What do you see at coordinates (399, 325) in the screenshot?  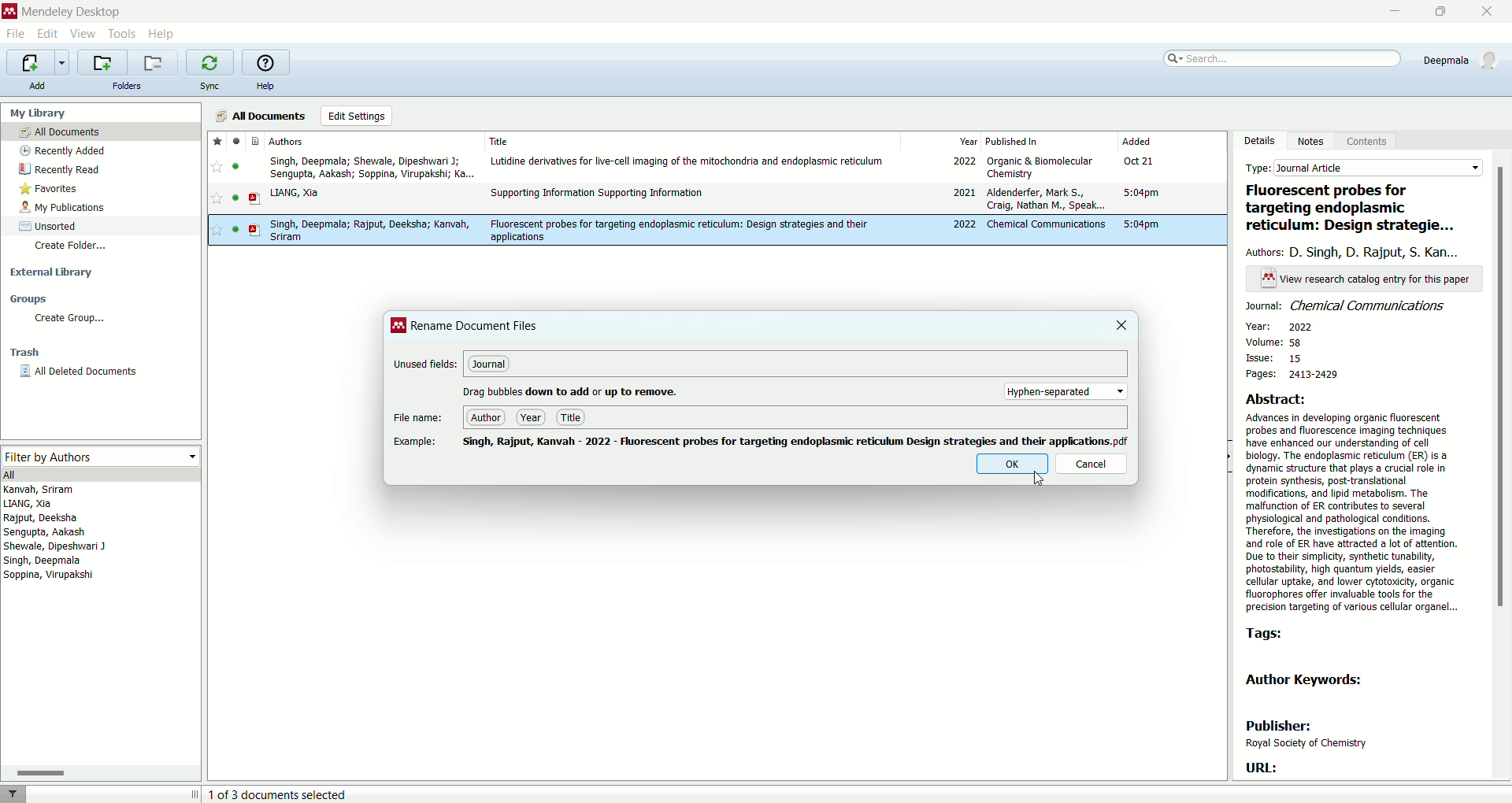 I see `logo` at bounding box center [399, 325].